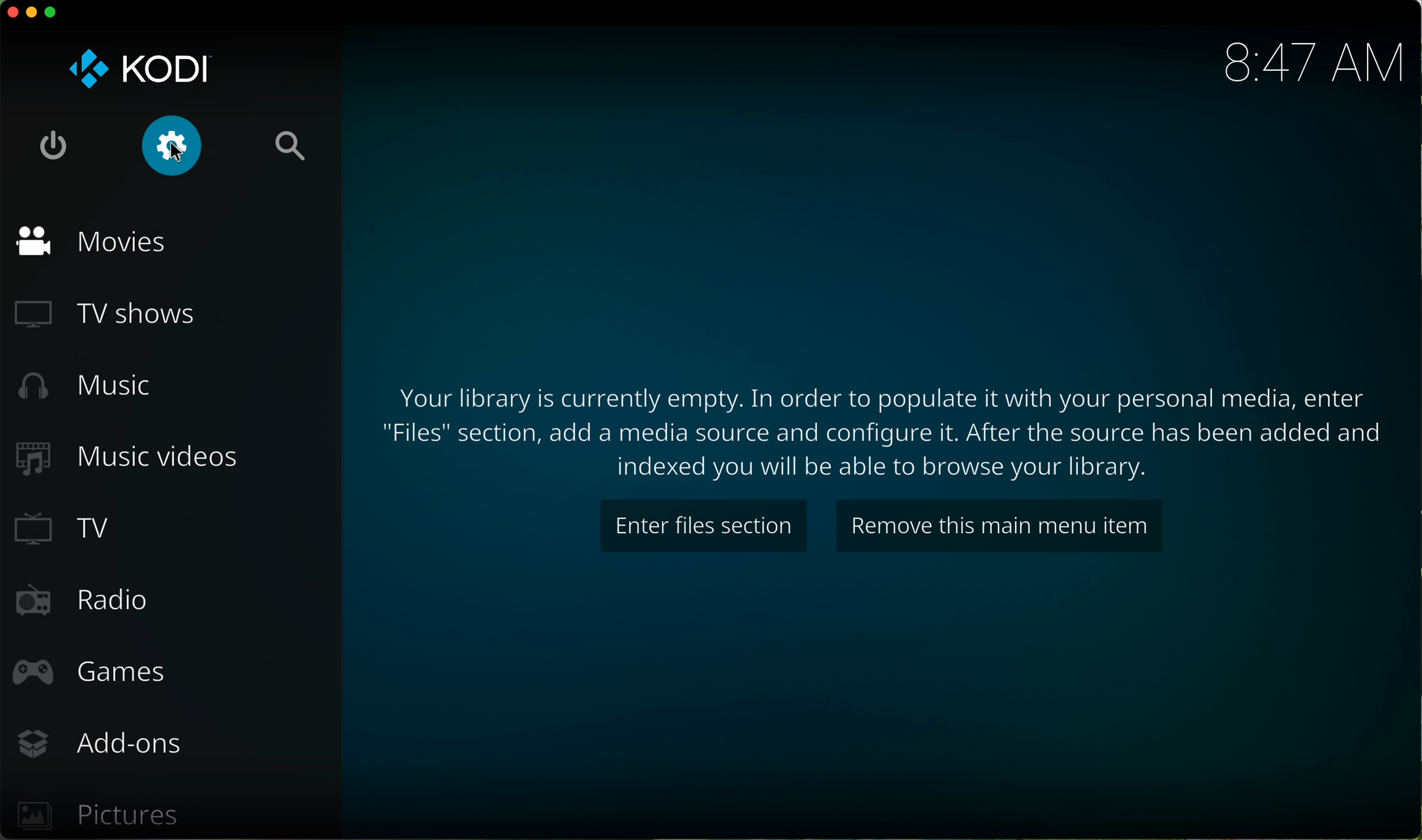 This screenshot has height=840, width=1422. Describe the element at coordinates (289, 148) in the screenshot. I see `search` at that location.